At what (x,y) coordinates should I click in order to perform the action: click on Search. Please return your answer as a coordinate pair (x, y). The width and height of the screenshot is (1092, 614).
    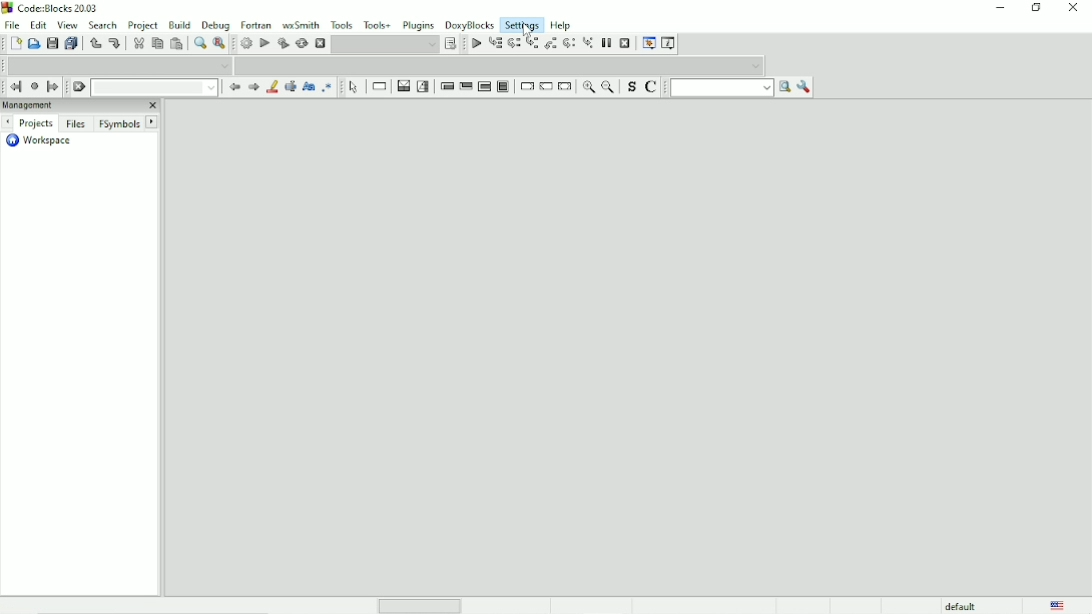
    Looking at the image, I should click on (104, 24).